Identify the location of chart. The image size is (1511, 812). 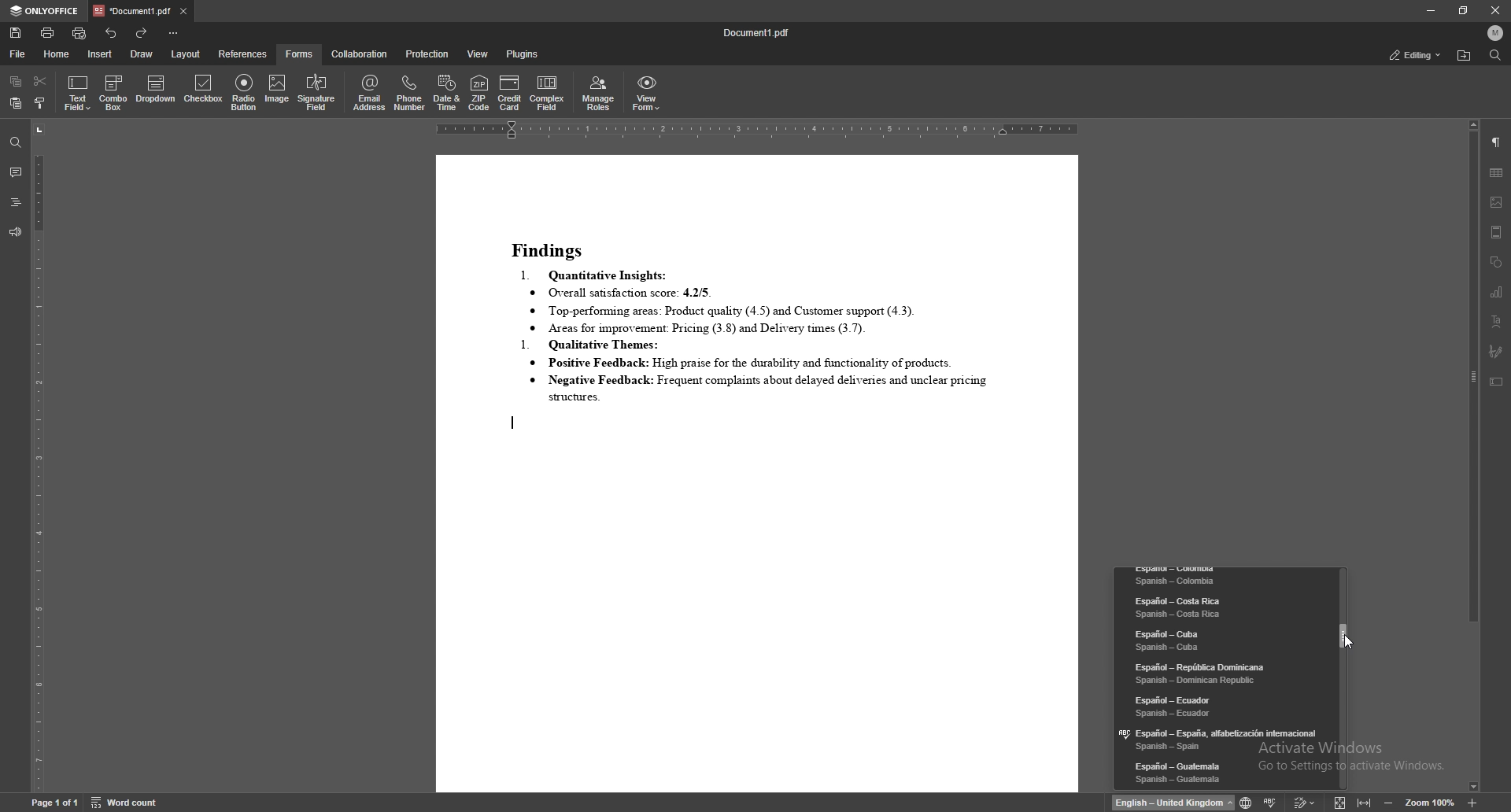
(1498, 292).